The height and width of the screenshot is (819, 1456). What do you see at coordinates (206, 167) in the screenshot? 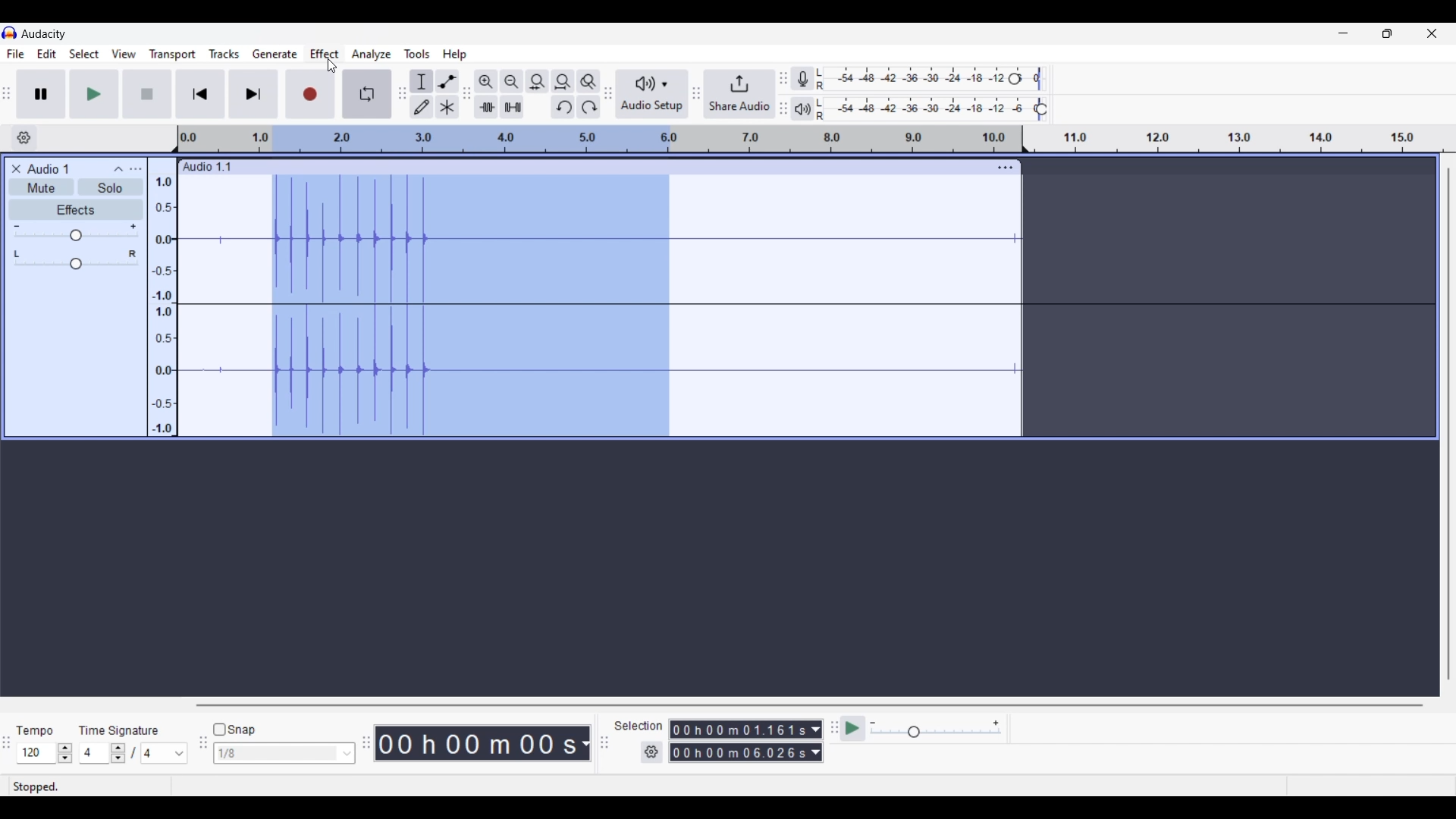
I see `Name of recorded audio` at bounding box center [206, 167].